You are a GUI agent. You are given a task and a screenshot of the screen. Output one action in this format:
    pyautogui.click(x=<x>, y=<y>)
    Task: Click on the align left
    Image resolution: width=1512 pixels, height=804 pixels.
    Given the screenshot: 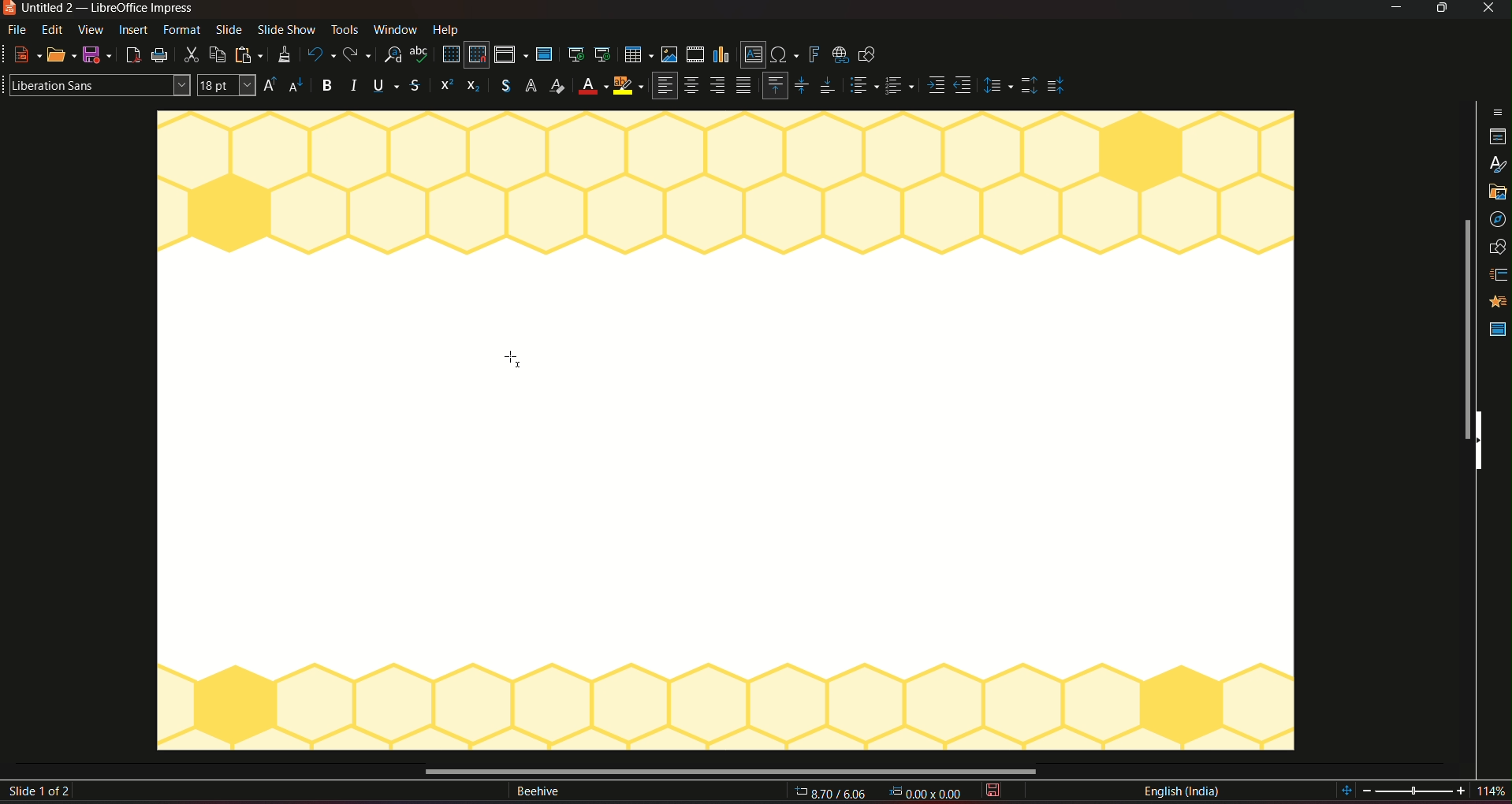 What is the action you would take?
    pyautogui.click(x=664, y=86)
    